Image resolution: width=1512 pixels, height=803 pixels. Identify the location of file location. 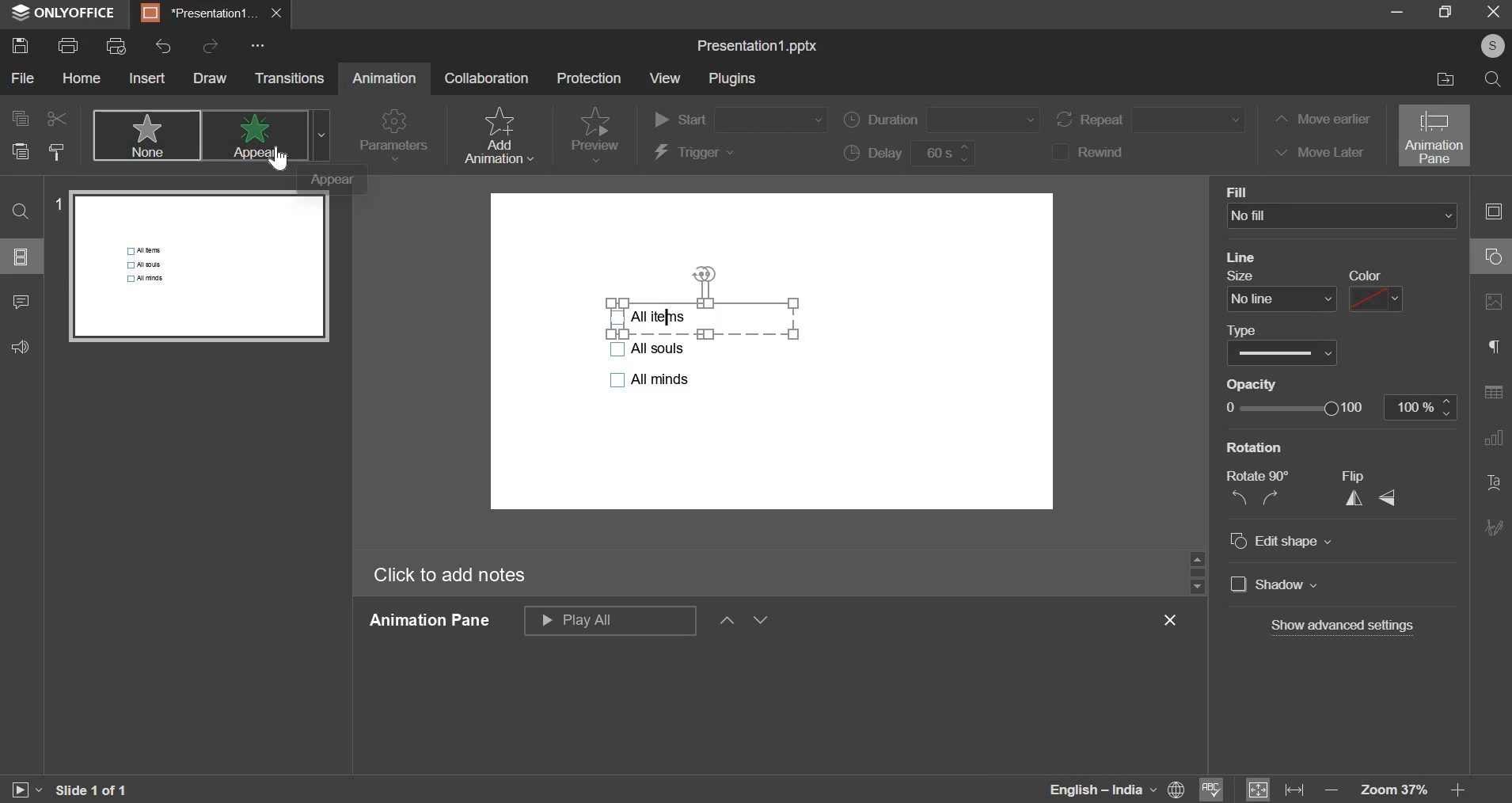
(1439, 79).